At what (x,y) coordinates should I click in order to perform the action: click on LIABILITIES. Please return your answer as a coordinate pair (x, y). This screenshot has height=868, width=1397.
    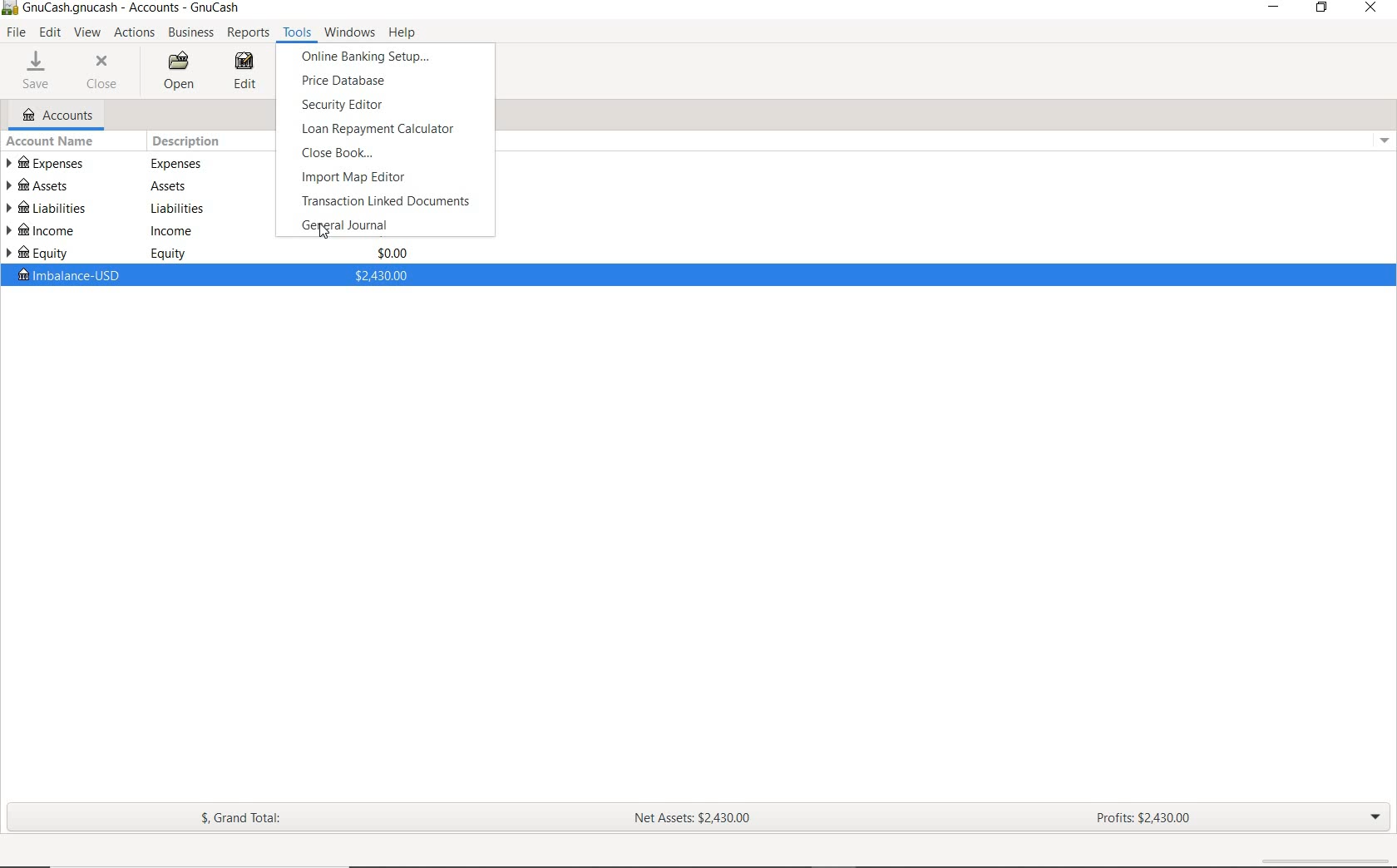
    Looking at the image, I should click on (47, 208).